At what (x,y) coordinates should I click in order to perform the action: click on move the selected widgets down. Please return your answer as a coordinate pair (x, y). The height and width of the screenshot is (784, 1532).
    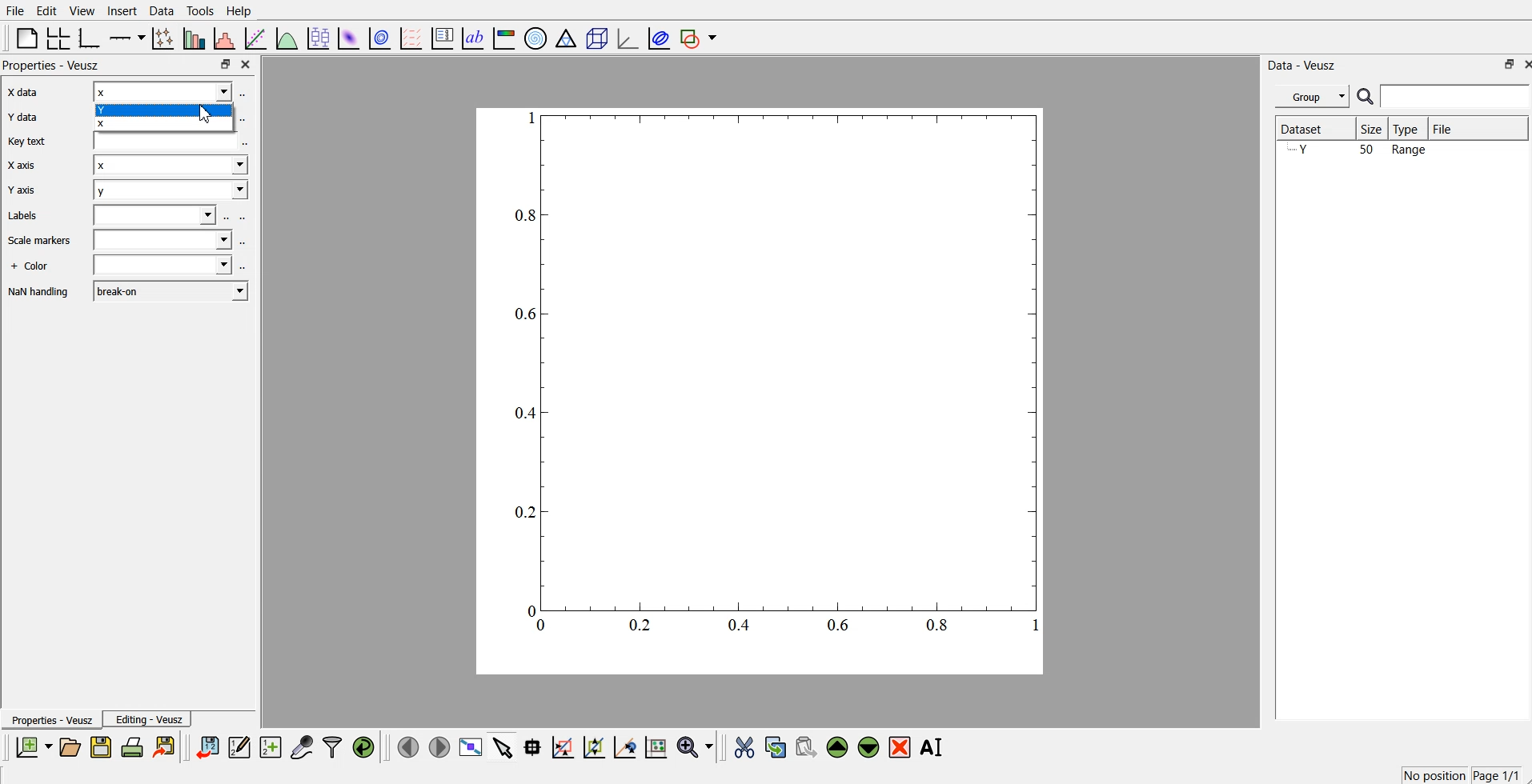
    Looking at the image, I should click on (868, 747).